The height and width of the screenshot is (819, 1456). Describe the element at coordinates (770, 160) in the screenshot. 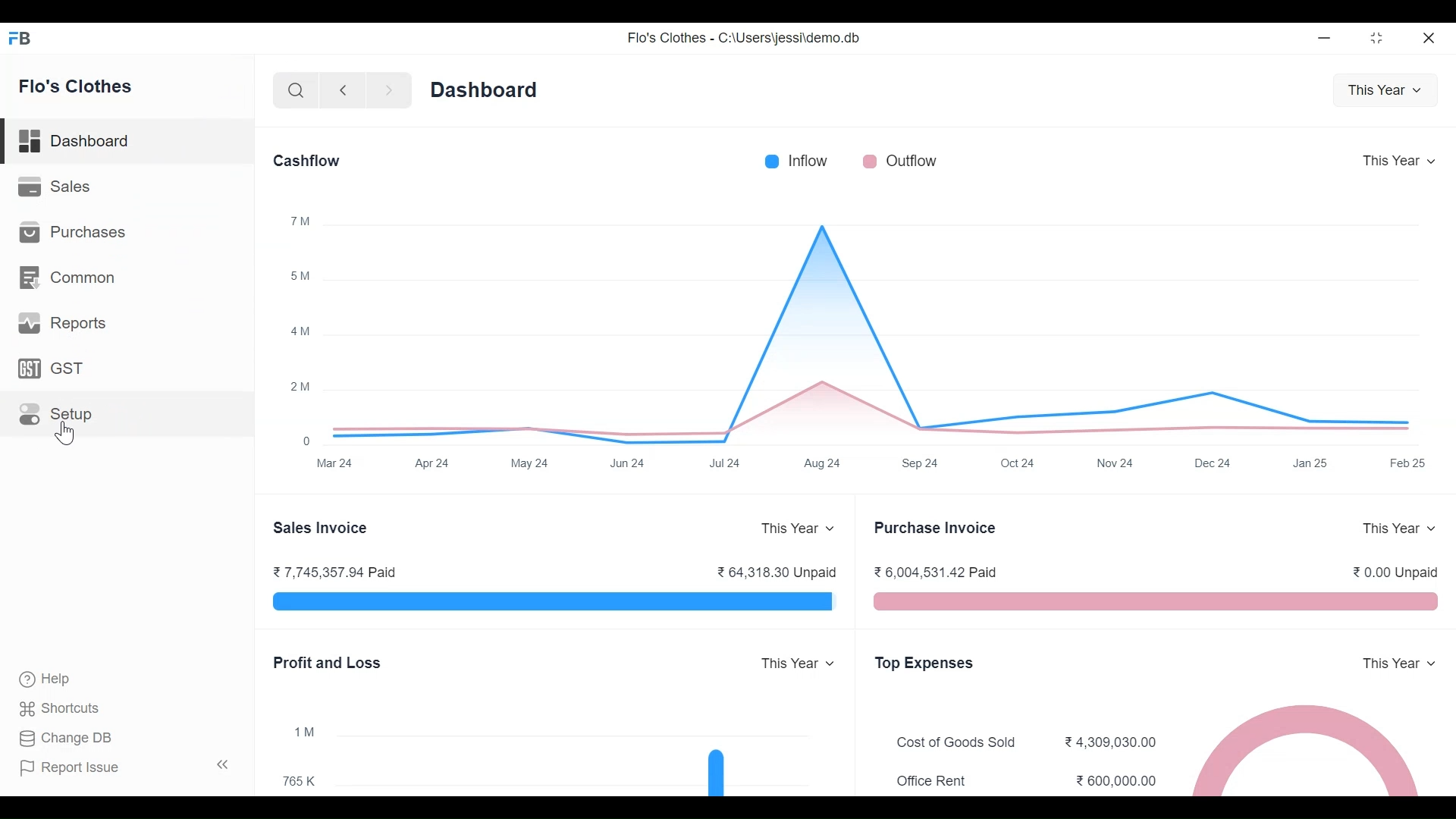

I see `Inflow color bar` at that location.